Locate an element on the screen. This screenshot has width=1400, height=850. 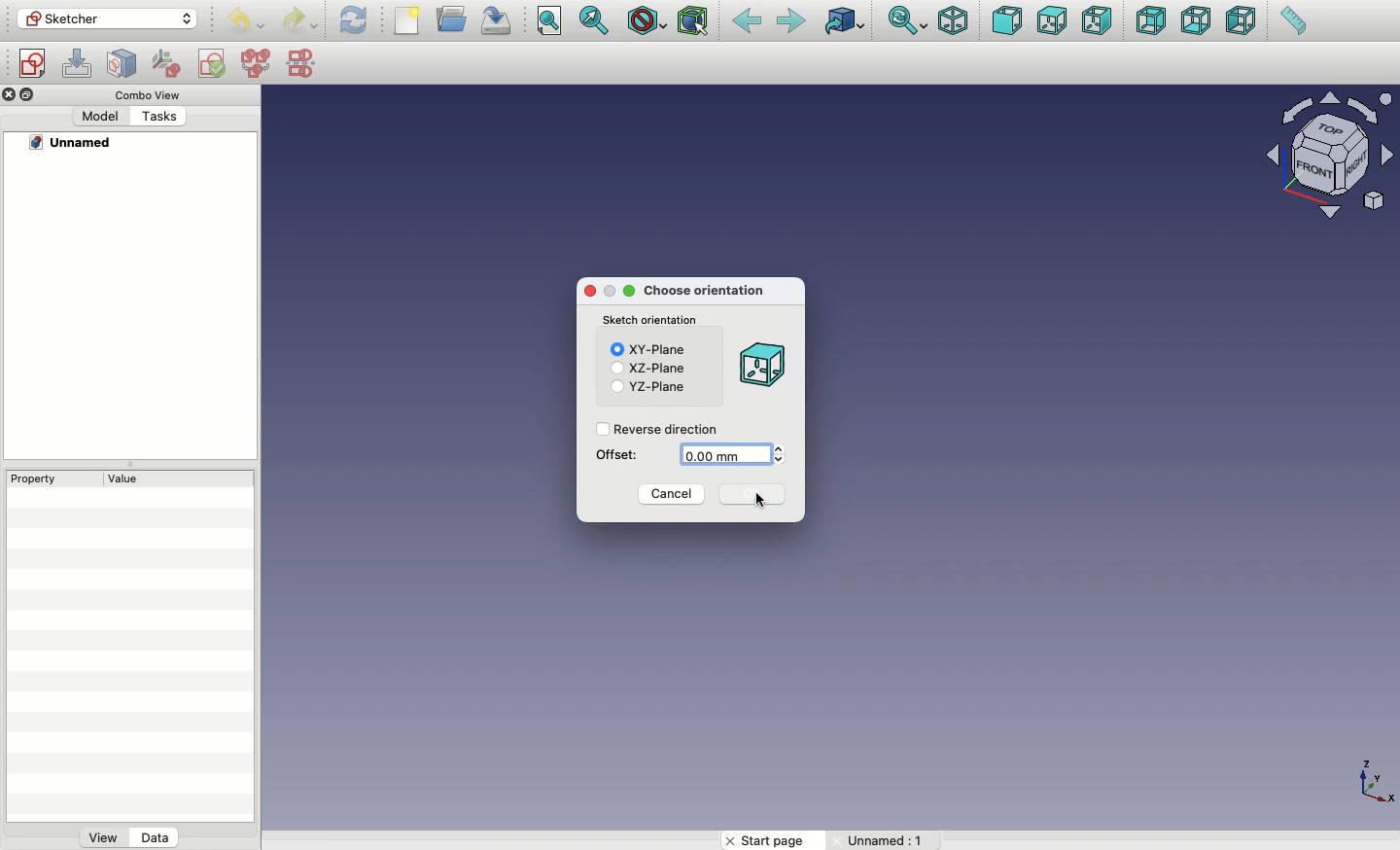
Reorient sketch is located at coordinates (168, 61).